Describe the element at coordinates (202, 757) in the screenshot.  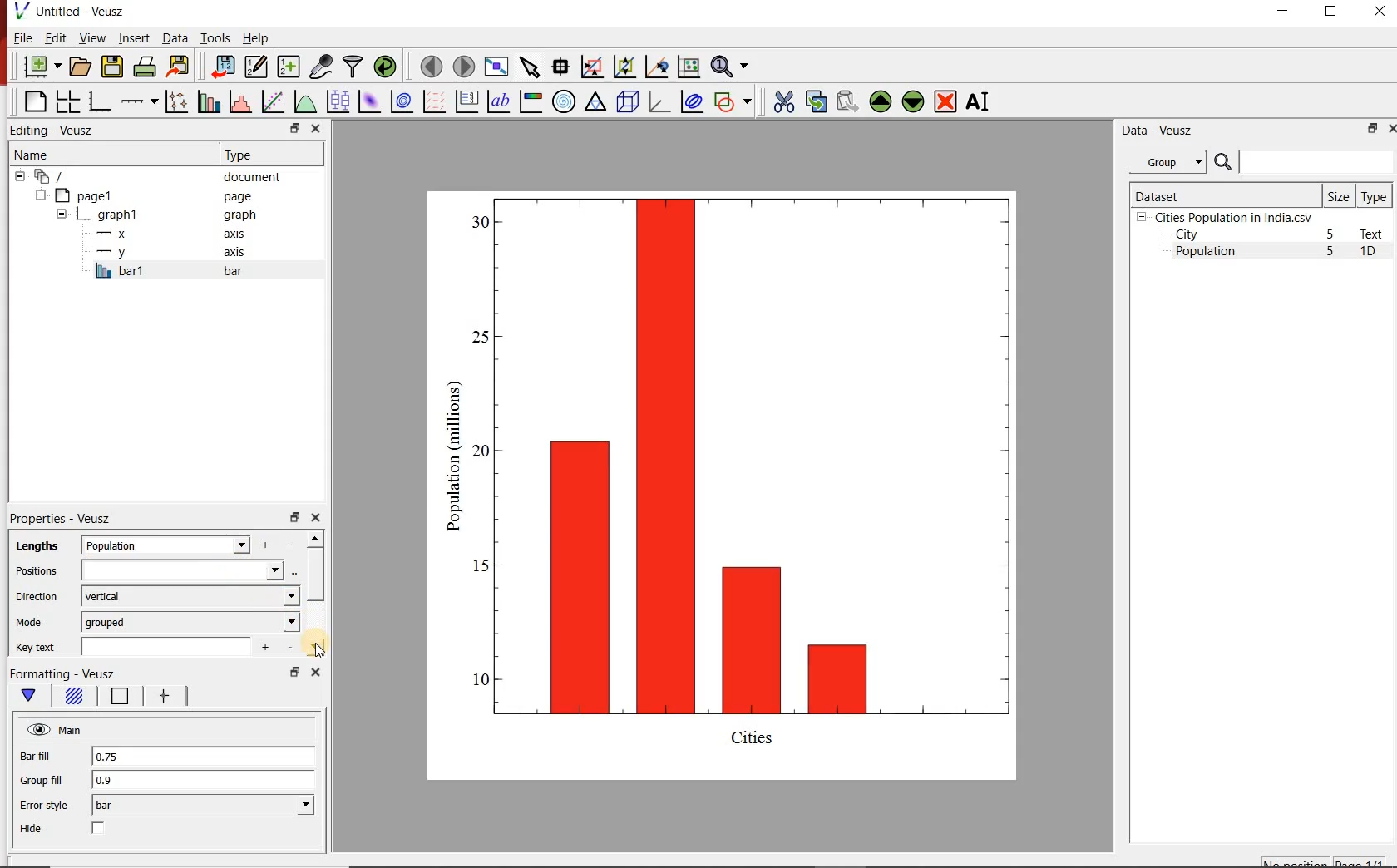
I see `0.75` at that location.